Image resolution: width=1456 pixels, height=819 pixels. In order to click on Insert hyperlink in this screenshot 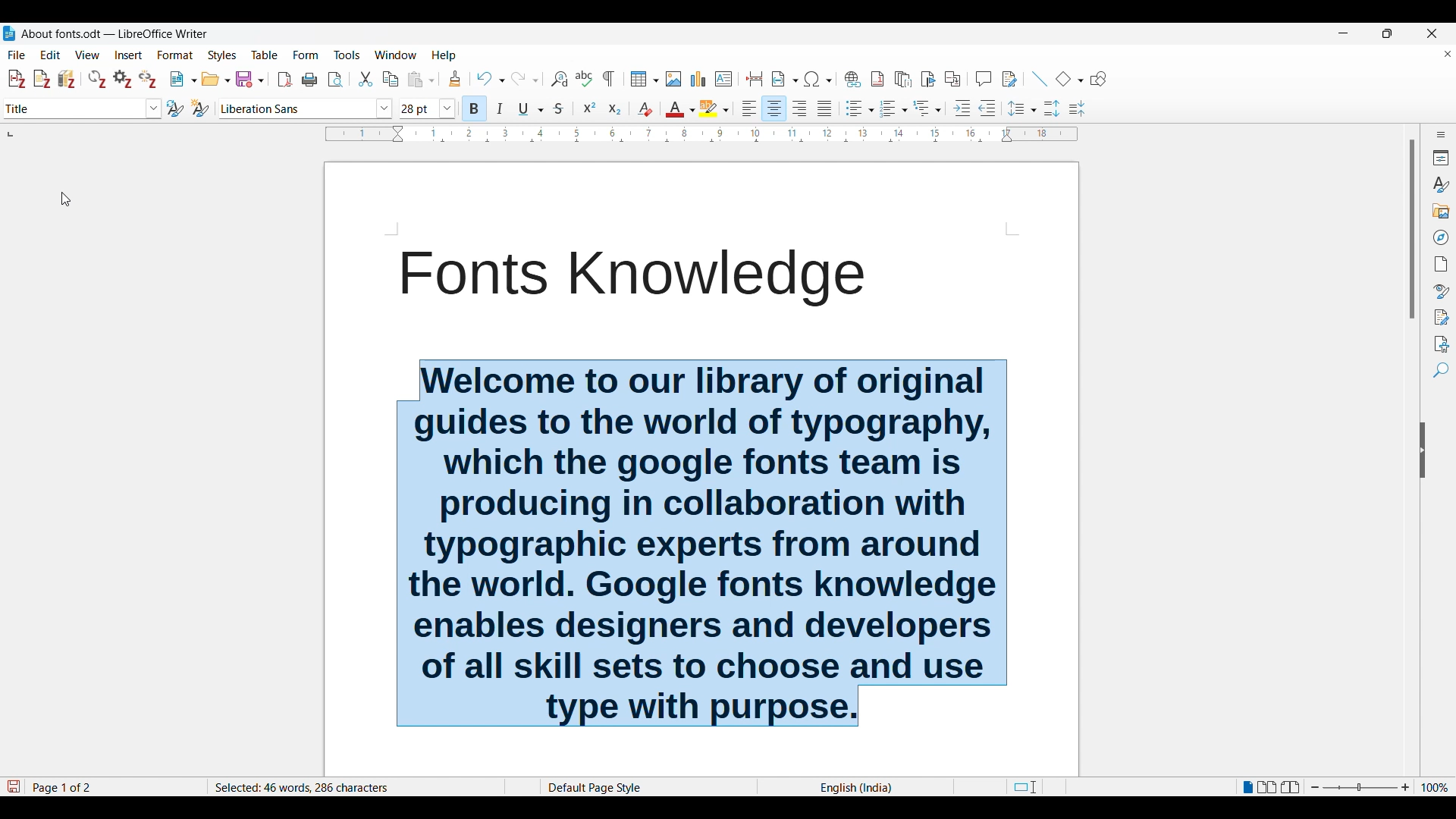, I will do `click(853, 79)`.